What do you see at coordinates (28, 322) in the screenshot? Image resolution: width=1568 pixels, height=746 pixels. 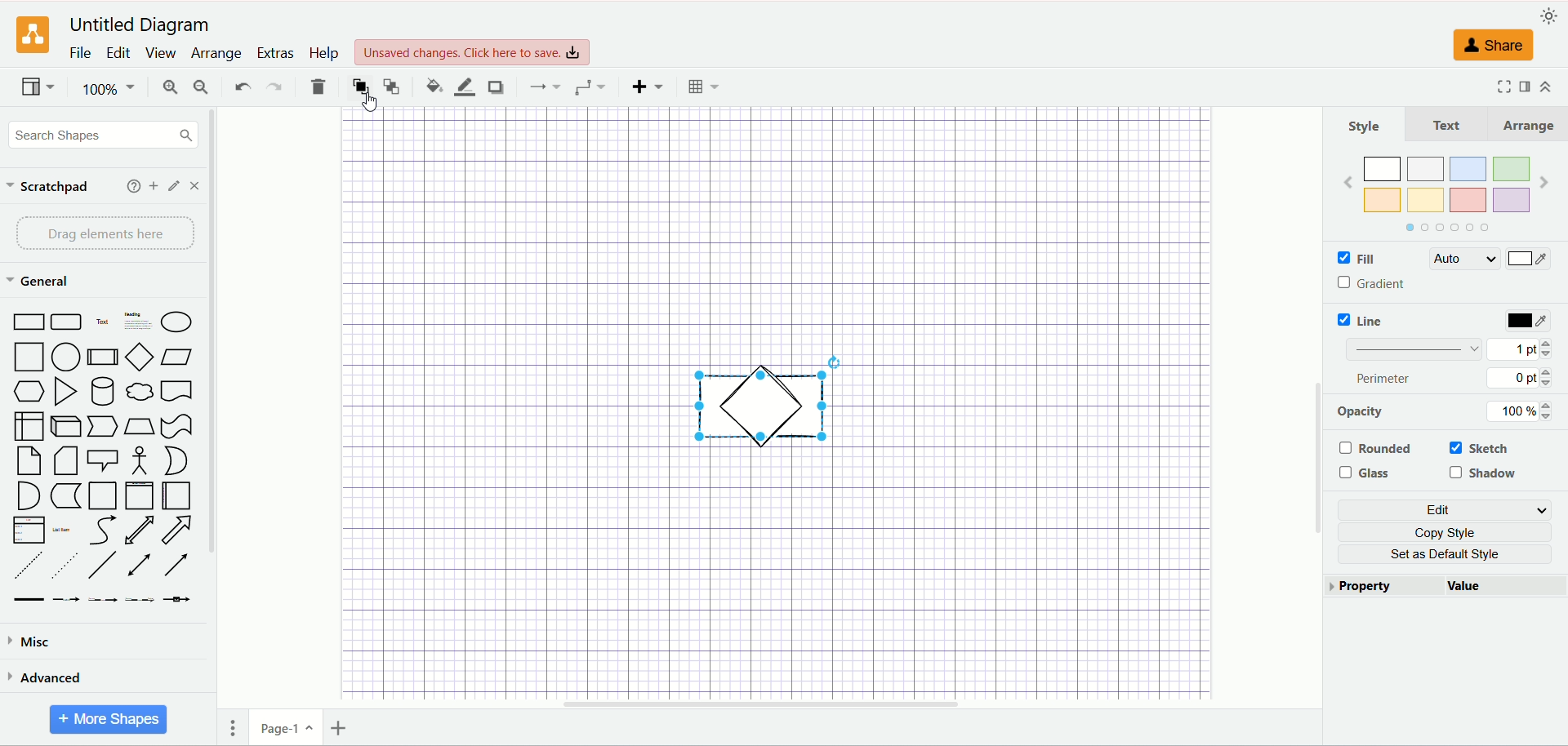 I see `Rectantangle` at bounding box center [28, 322].